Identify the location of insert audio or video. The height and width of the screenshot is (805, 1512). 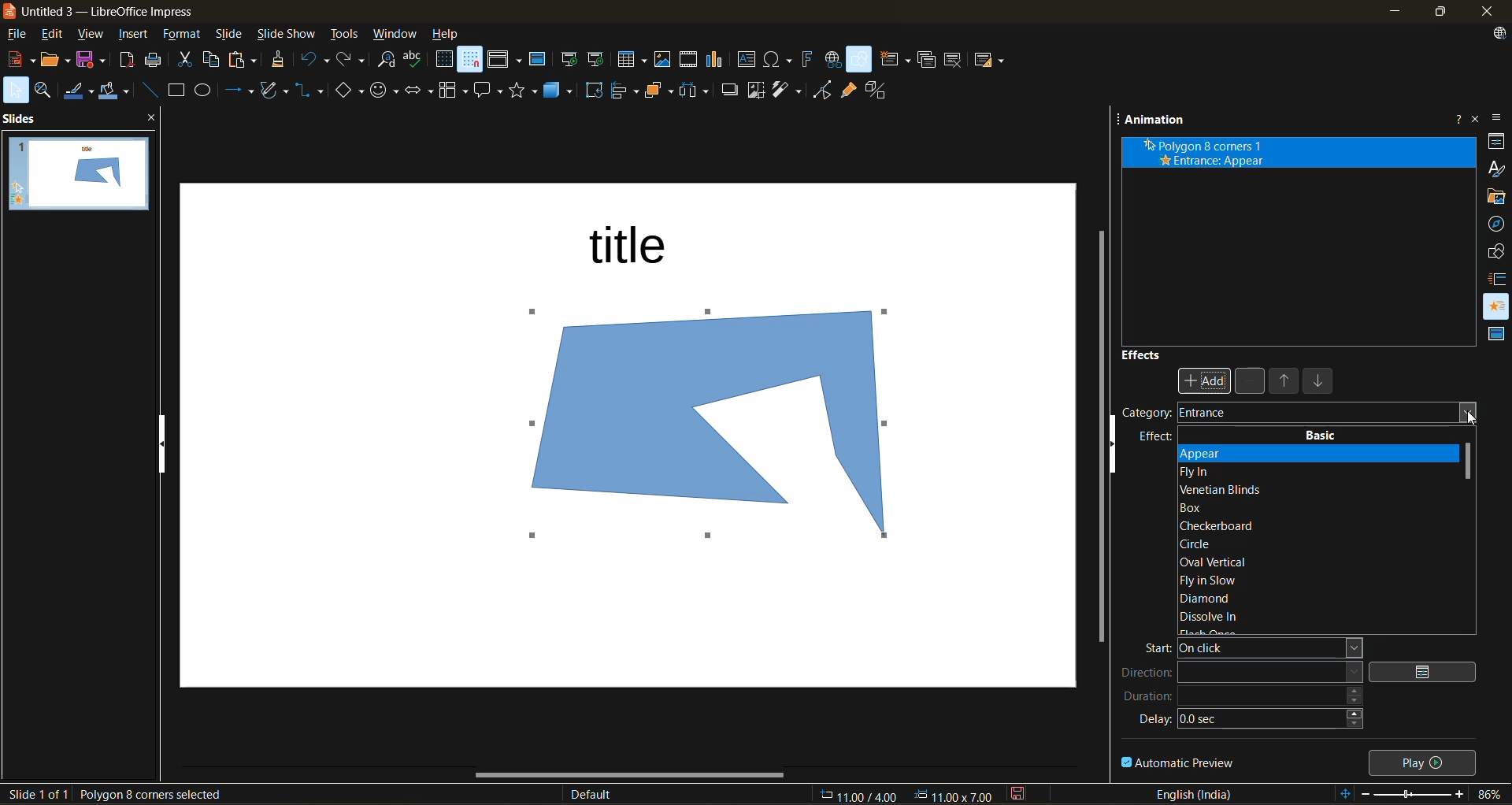
(690, 60).